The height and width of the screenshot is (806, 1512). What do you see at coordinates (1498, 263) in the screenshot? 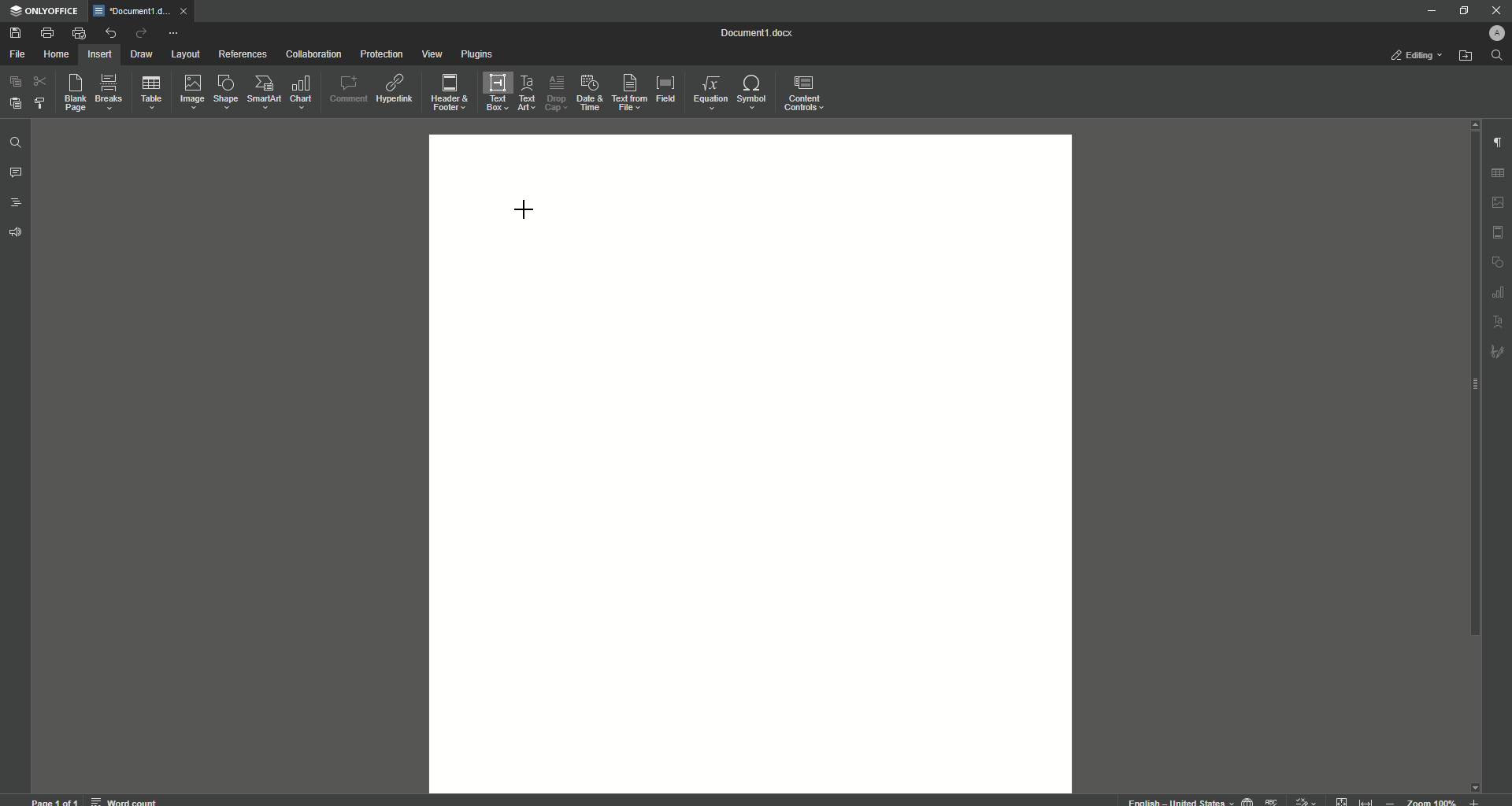
I see `shape` at bounding box center [1498, 263].